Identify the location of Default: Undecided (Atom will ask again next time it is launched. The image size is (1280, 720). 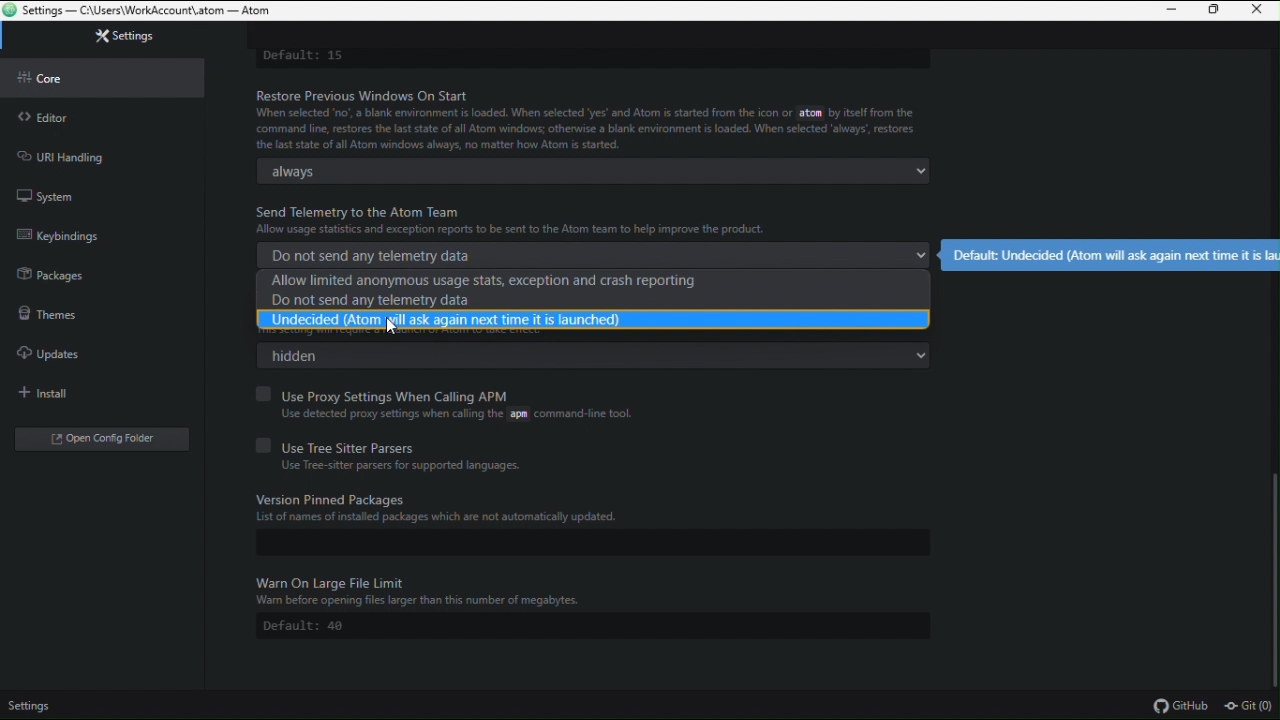
(1112, 253).